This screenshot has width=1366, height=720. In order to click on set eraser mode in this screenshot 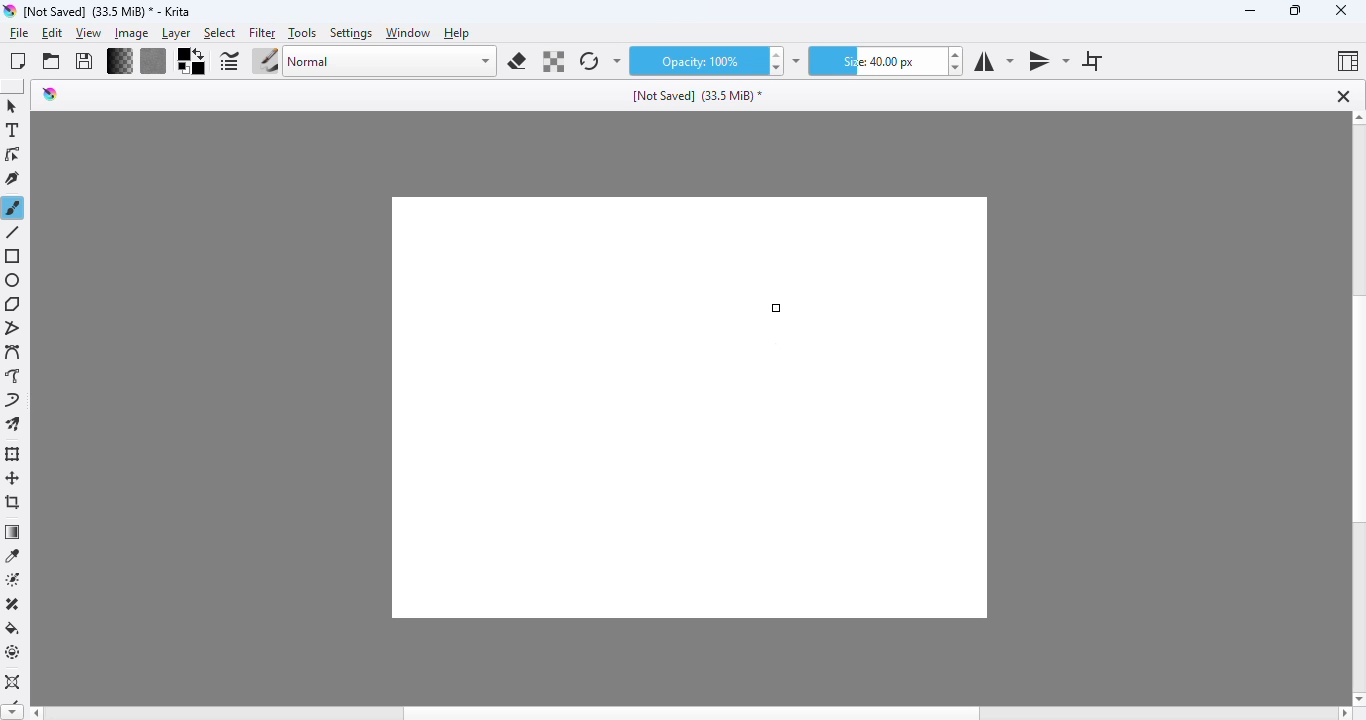, I will do `click(517, 61)`.